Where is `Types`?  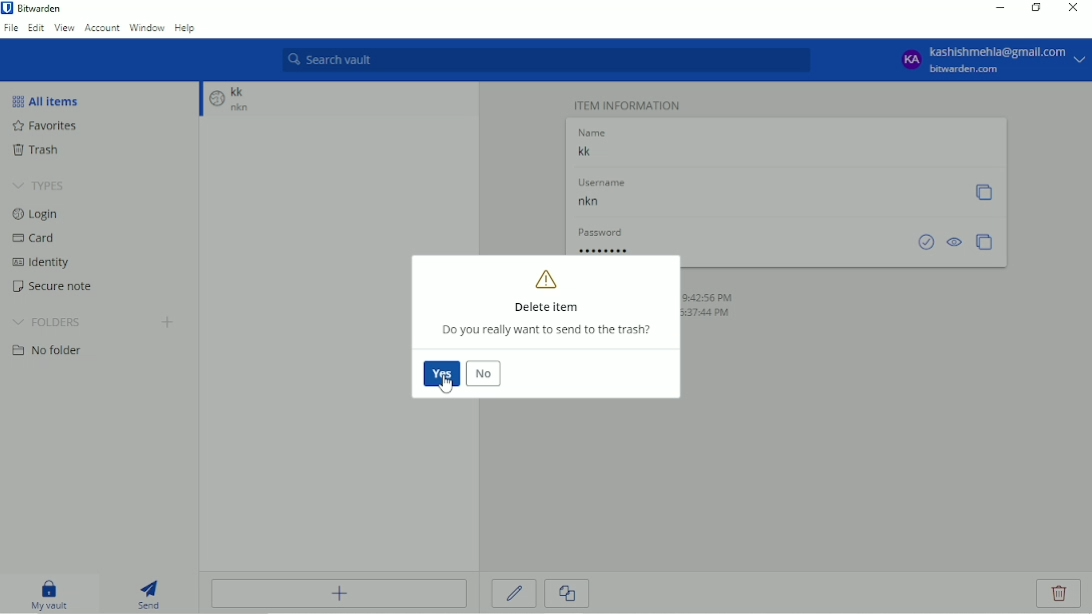
Types is located at coordinates (42, 186).